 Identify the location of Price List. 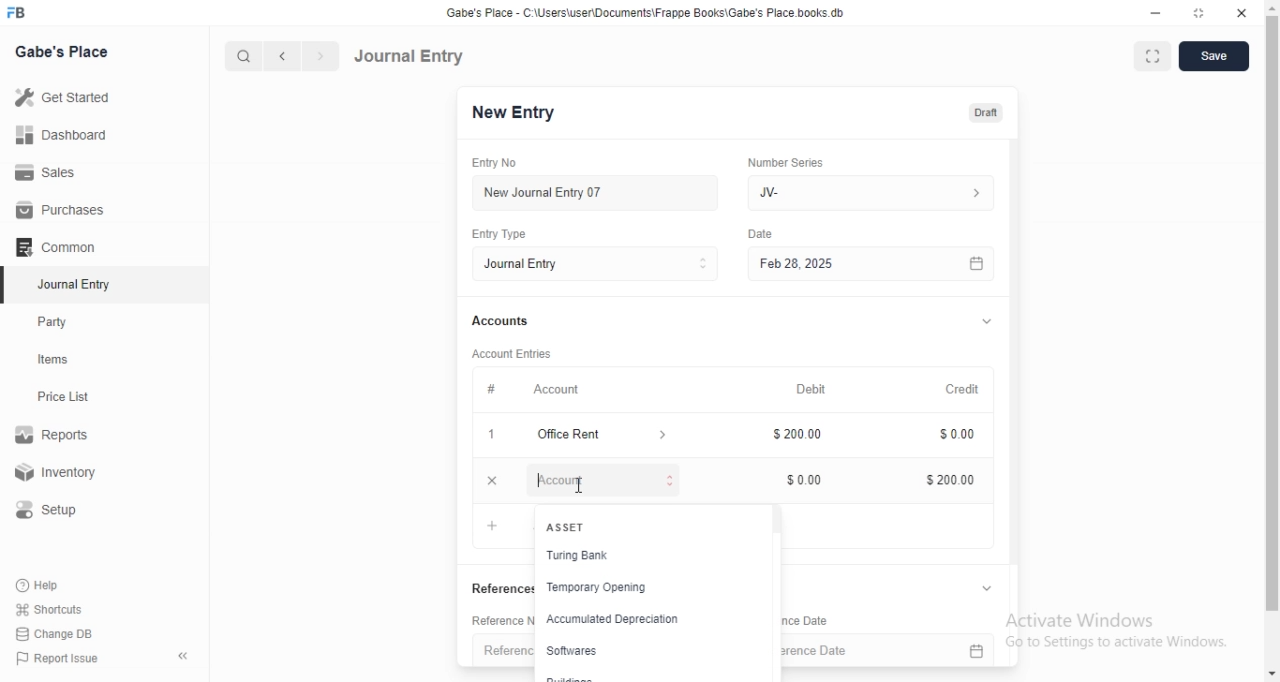
(62, 397).